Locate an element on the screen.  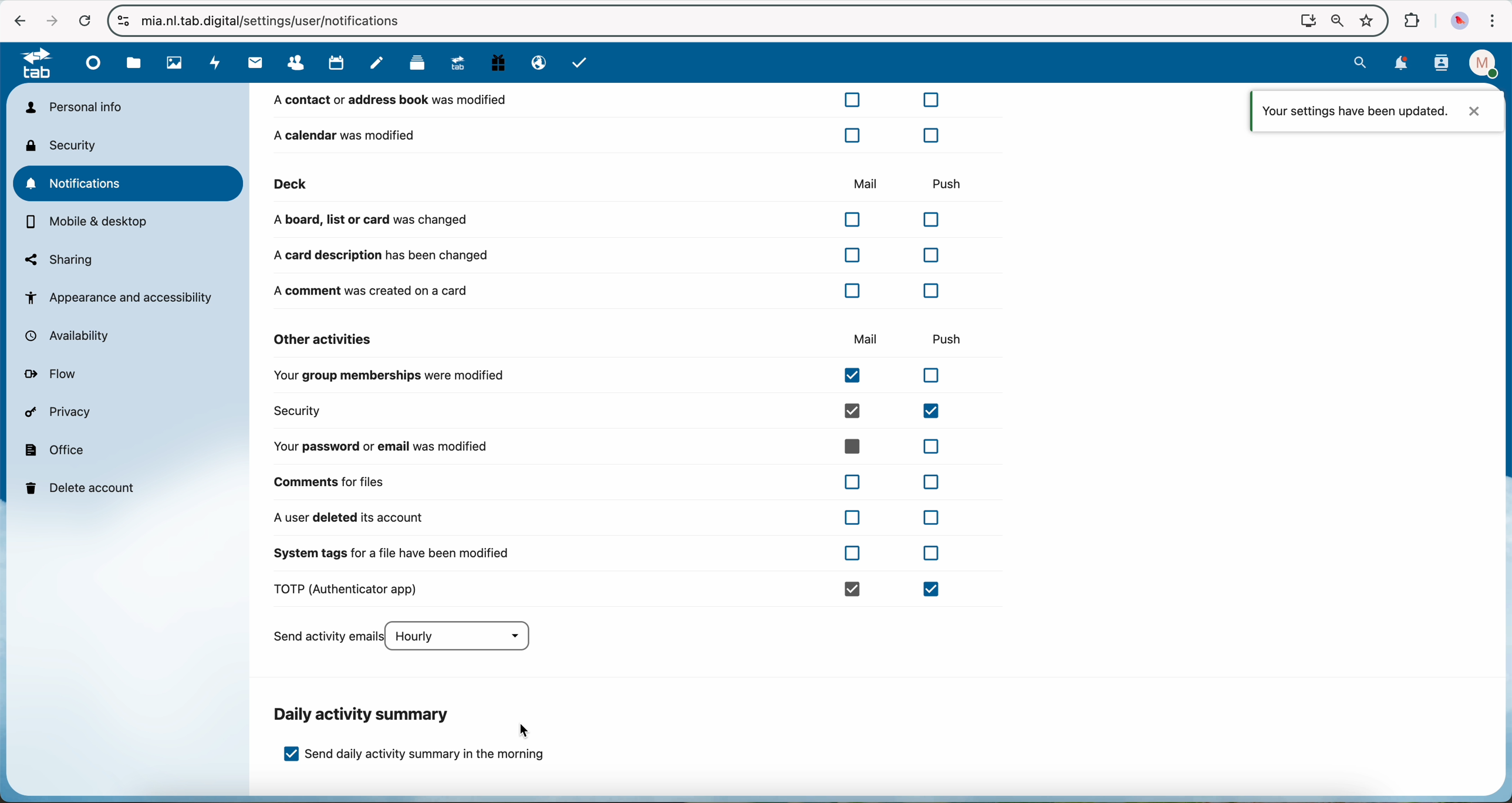
profile is located at coordinates (1480, 63).